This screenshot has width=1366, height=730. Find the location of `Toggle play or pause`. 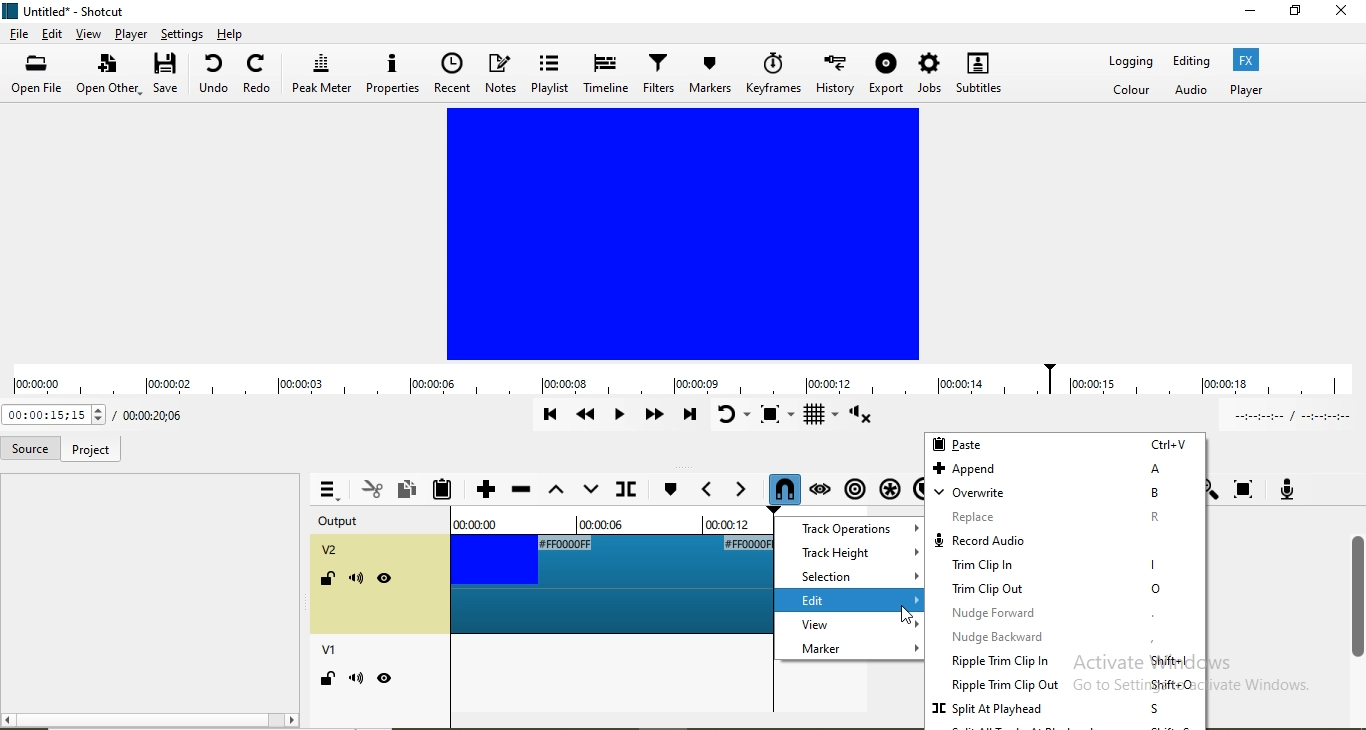

Toggle play or pause is located at coordinates (622, 419).